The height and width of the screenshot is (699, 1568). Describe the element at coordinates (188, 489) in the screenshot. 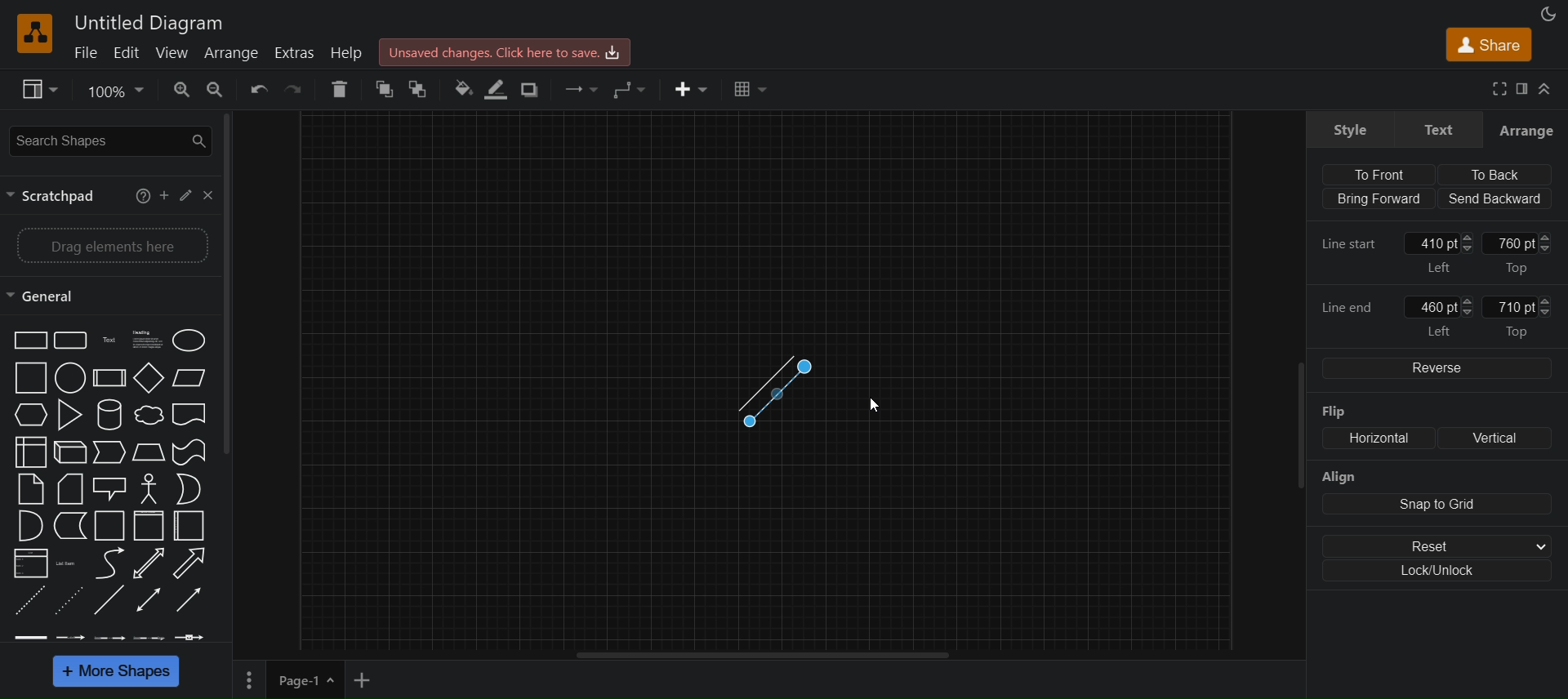

I see `Or` at that location.